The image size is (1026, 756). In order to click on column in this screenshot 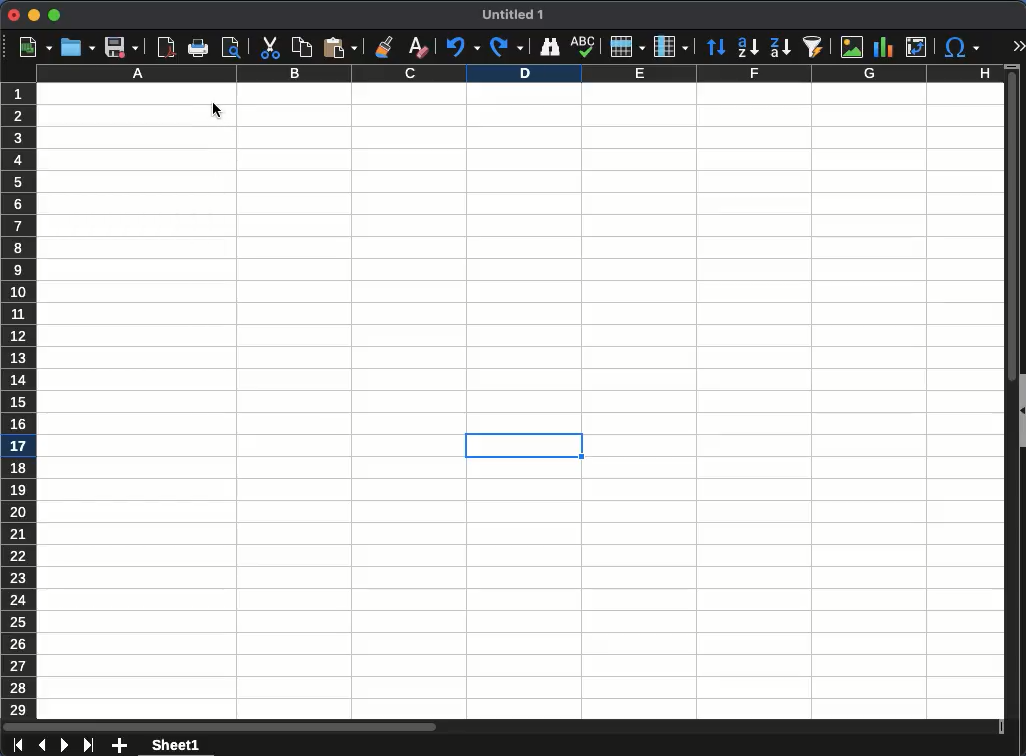, I will do `click(671, 46)`.